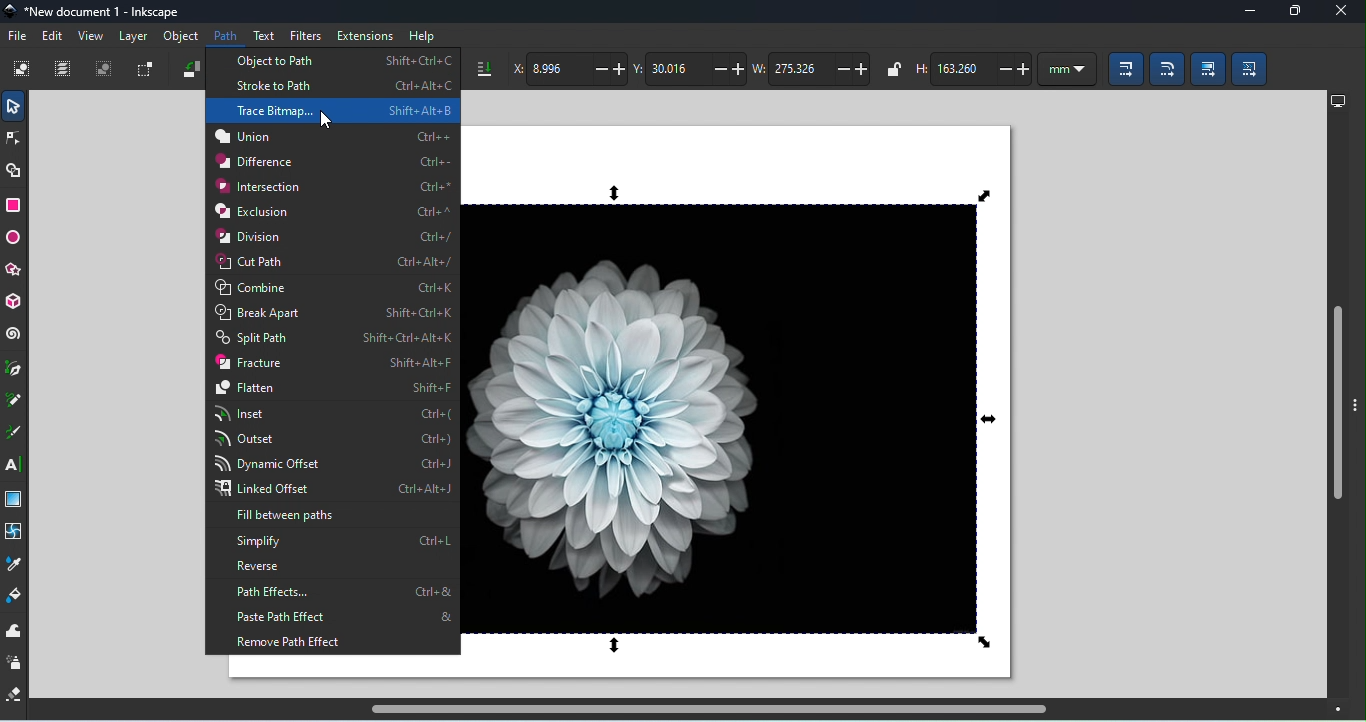 The image size is (1366, 722). Describe the element at coordinates (326, 121) in the screenshot. I see `cursor` at that location.